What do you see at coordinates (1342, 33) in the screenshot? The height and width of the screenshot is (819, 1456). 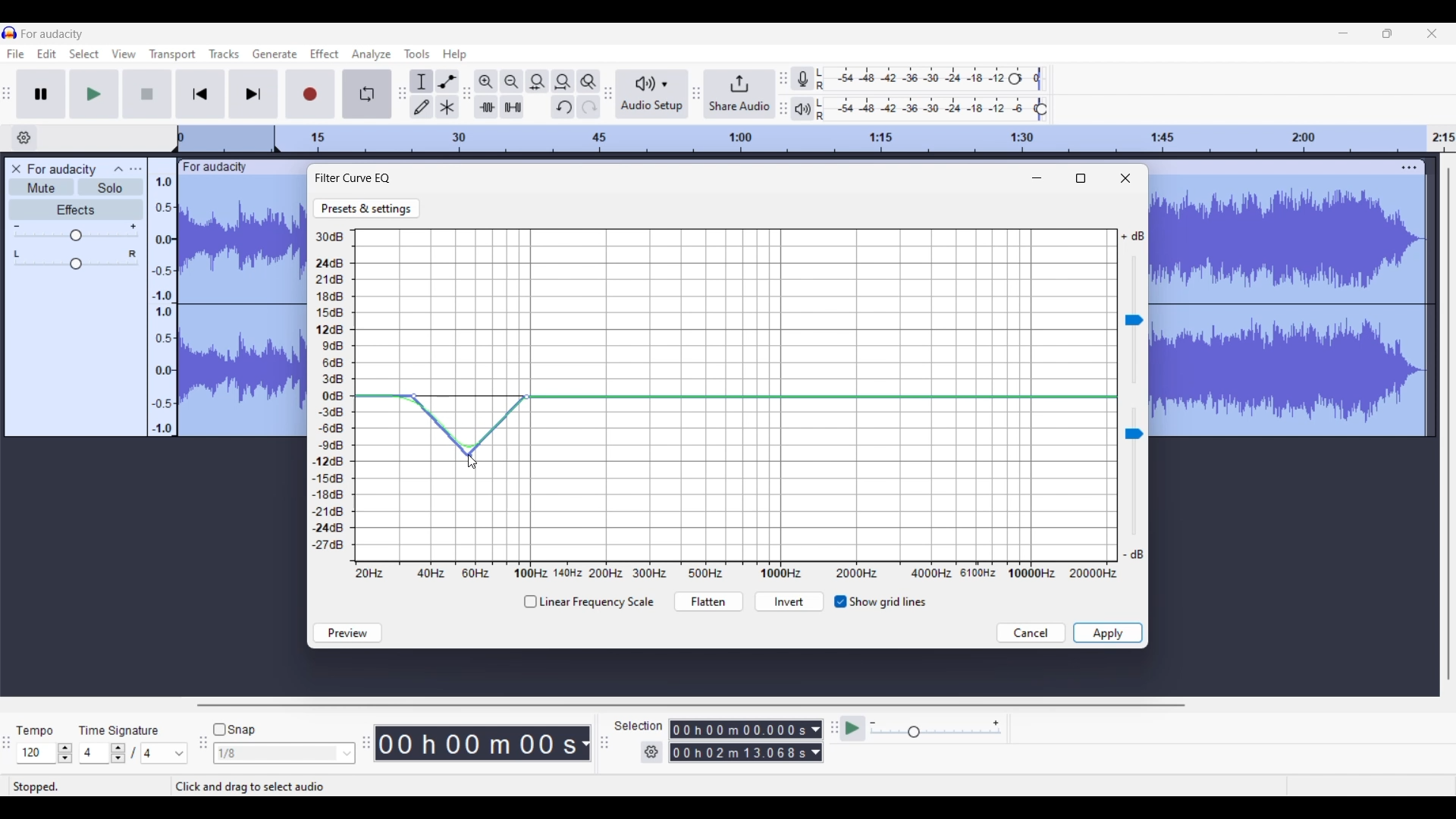 I see `Minimize` at bounding box center [1342, 33].